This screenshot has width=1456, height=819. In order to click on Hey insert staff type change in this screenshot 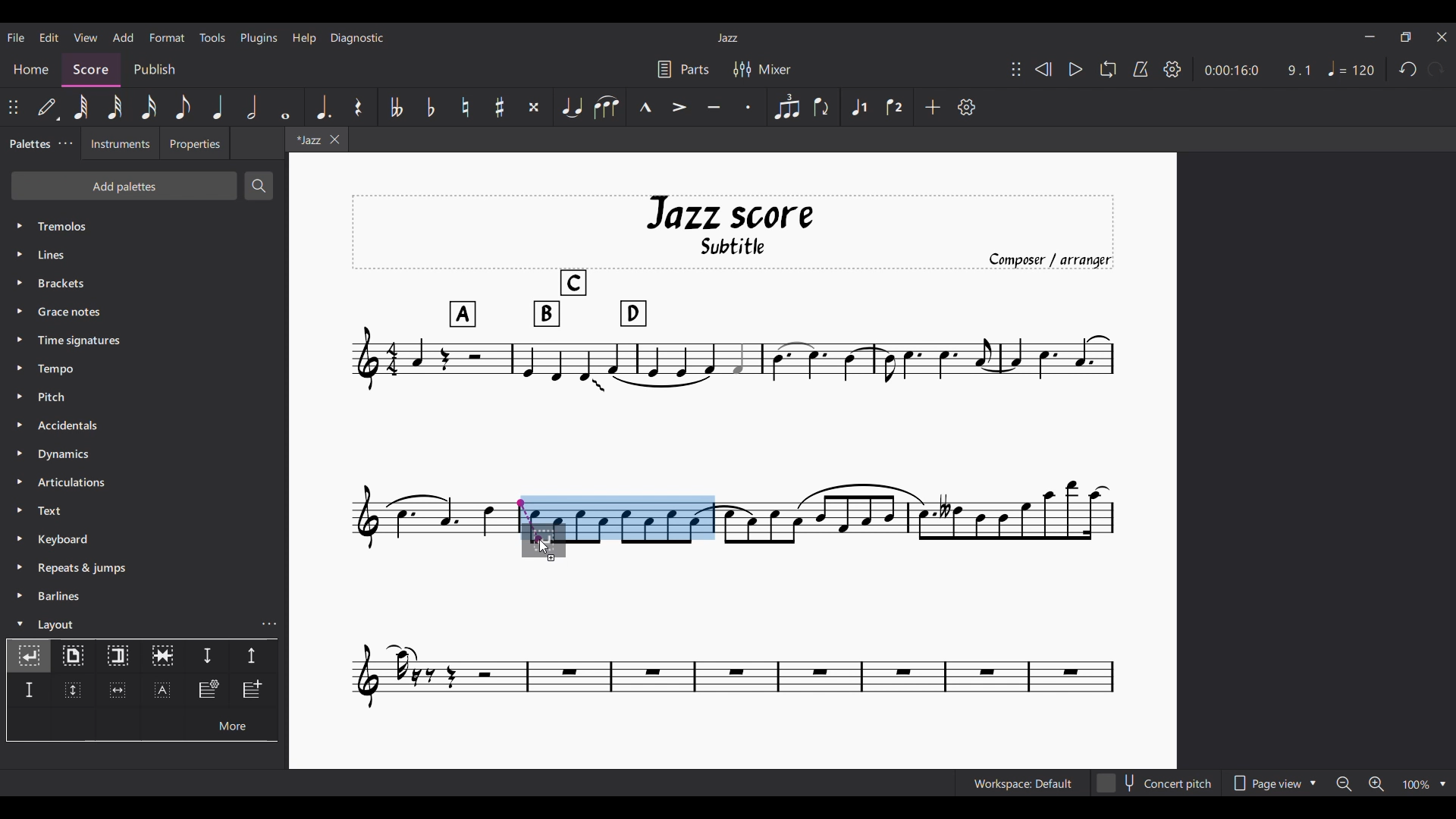, I will do `click(208, 691)`.